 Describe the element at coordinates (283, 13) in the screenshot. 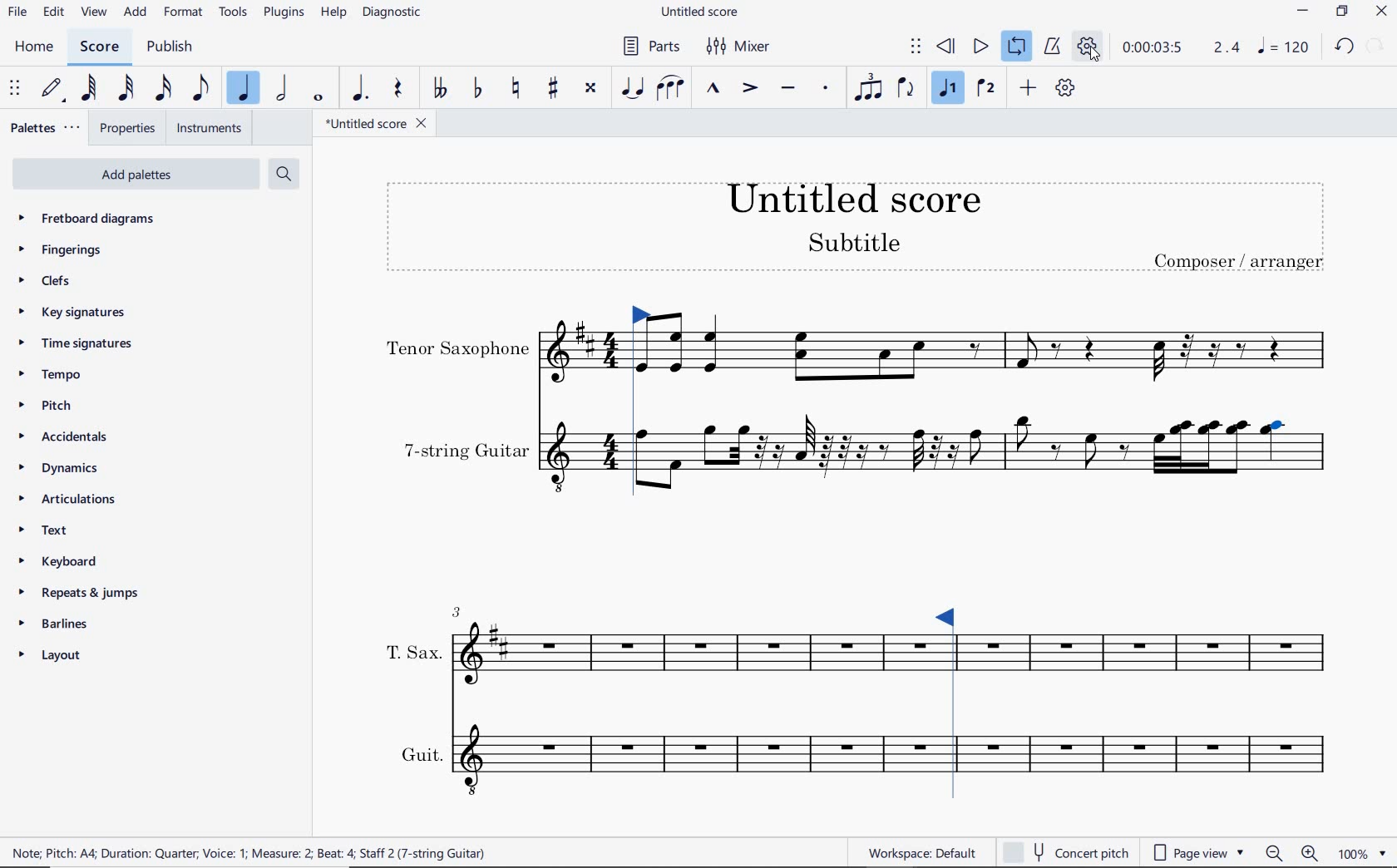

I see `PLUGINS` at that location.